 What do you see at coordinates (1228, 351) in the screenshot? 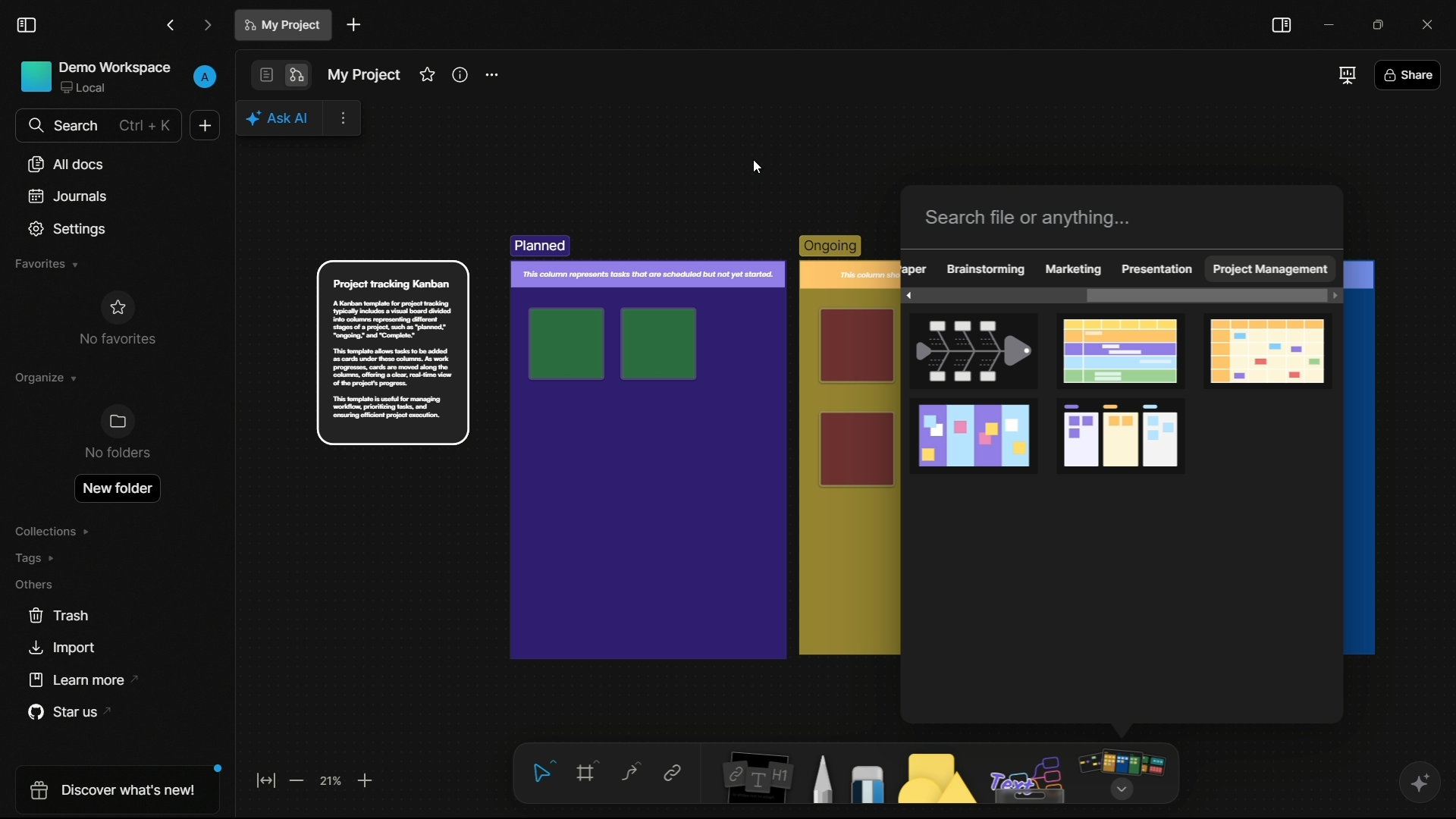
I see `monthly calendar template` at bounding box center [1228, 351].